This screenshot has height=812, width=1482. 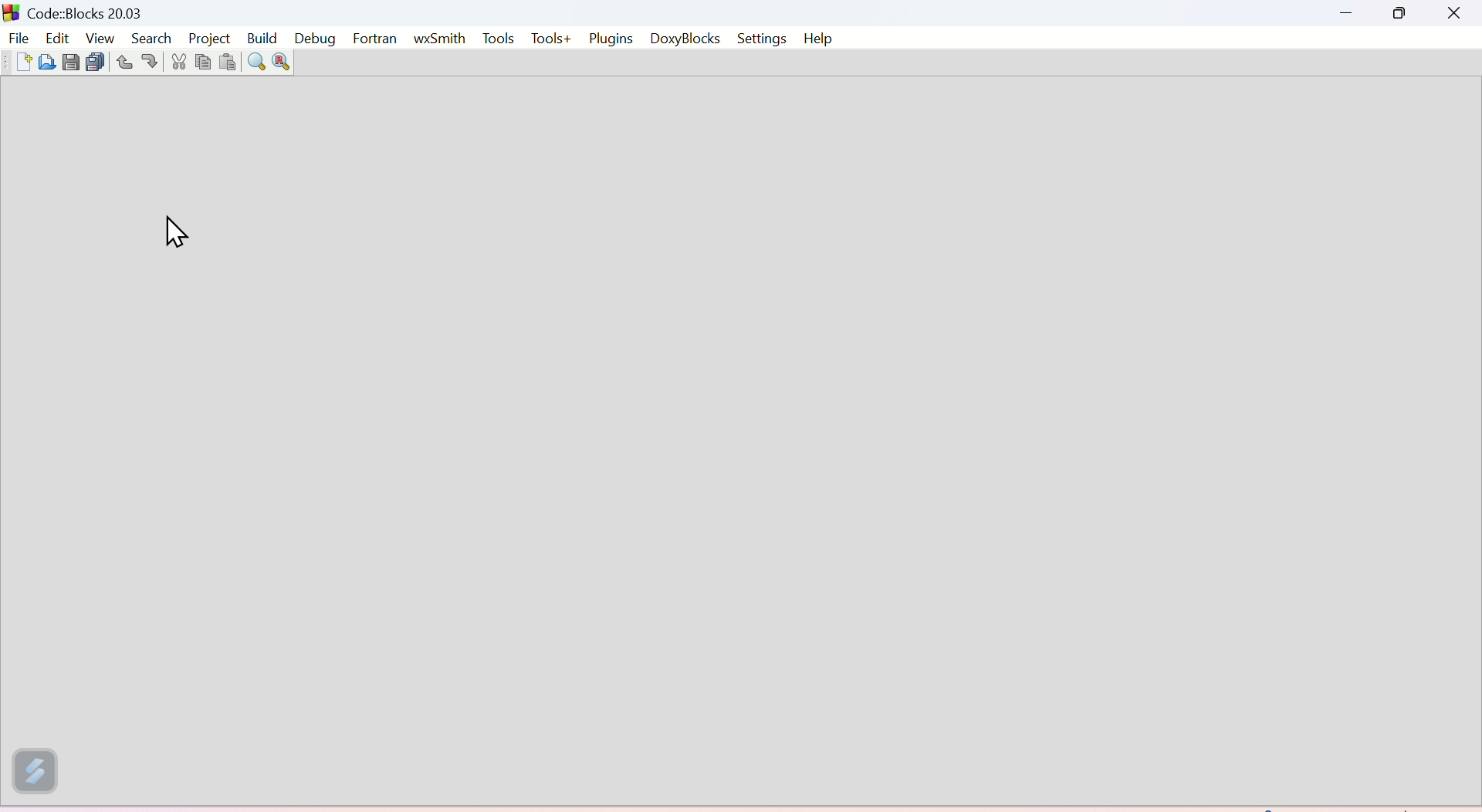 I want to click on paste, so click(x=227, y=59).